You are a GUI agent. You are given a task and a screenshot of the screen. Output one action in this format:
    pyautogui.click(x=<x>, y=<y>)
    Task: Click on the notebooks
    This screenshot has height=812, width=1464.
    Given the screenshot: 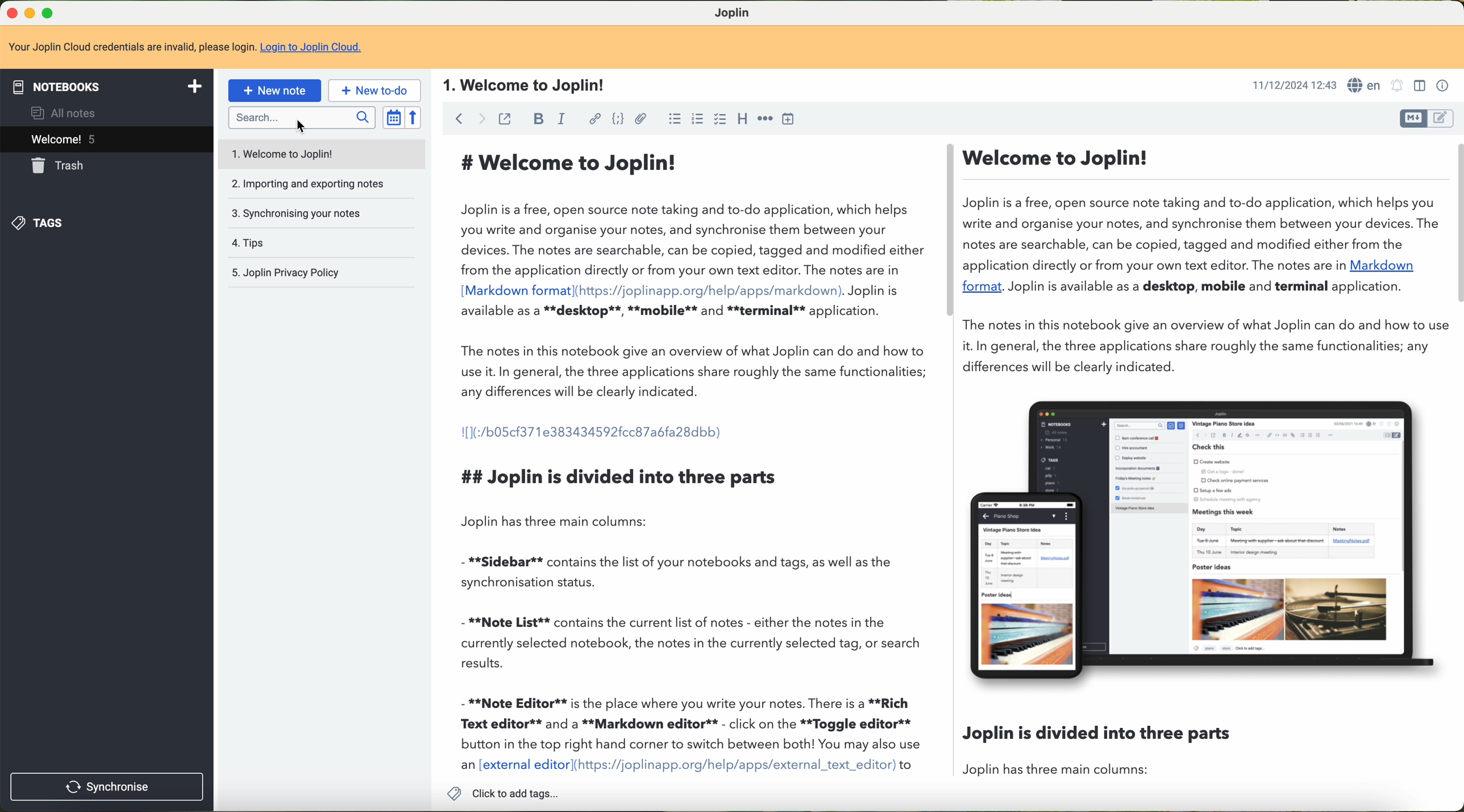 What is the action you would take?
    pyautogui.click(x=105, y=86)
    